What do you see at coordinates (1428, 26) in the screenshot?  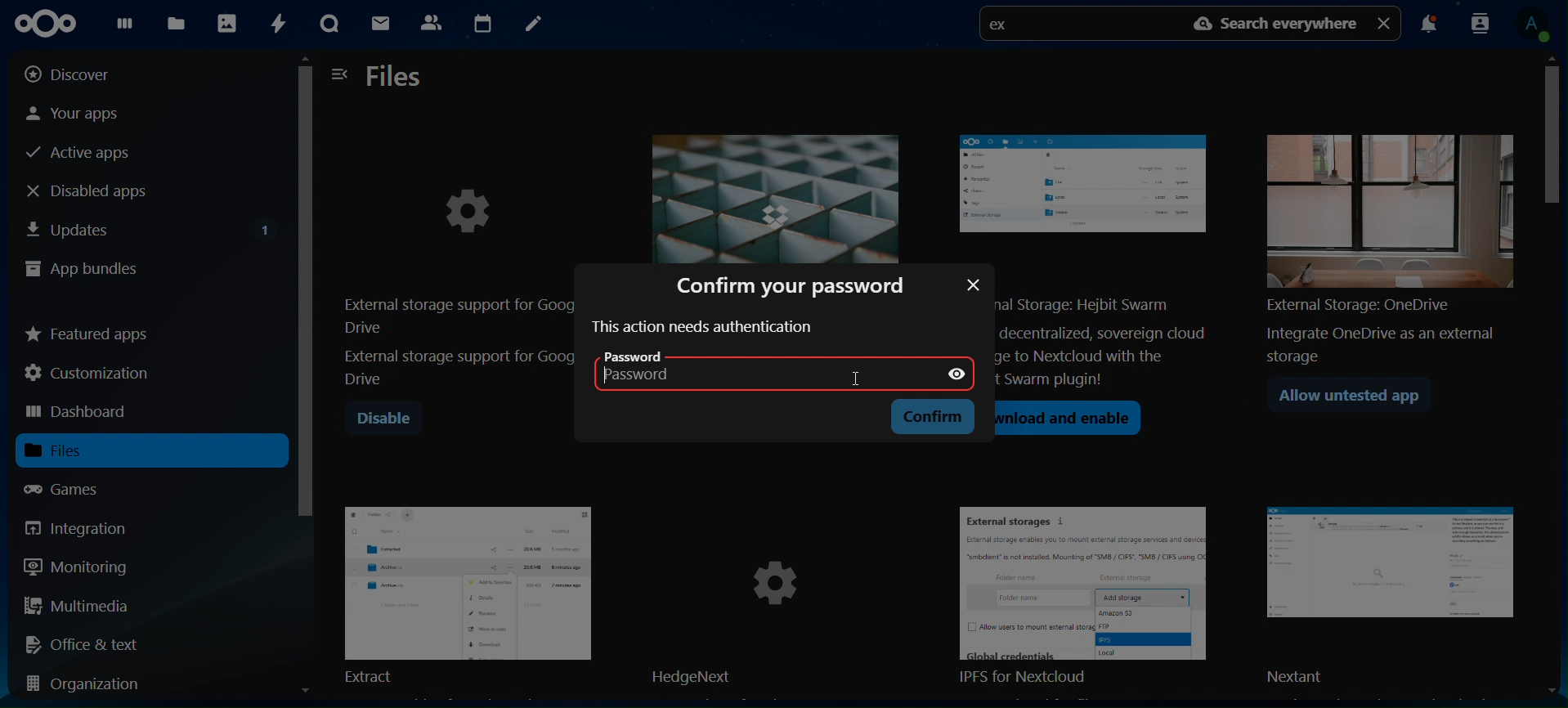 I see `notifications` at bounding box center [1428, 26].